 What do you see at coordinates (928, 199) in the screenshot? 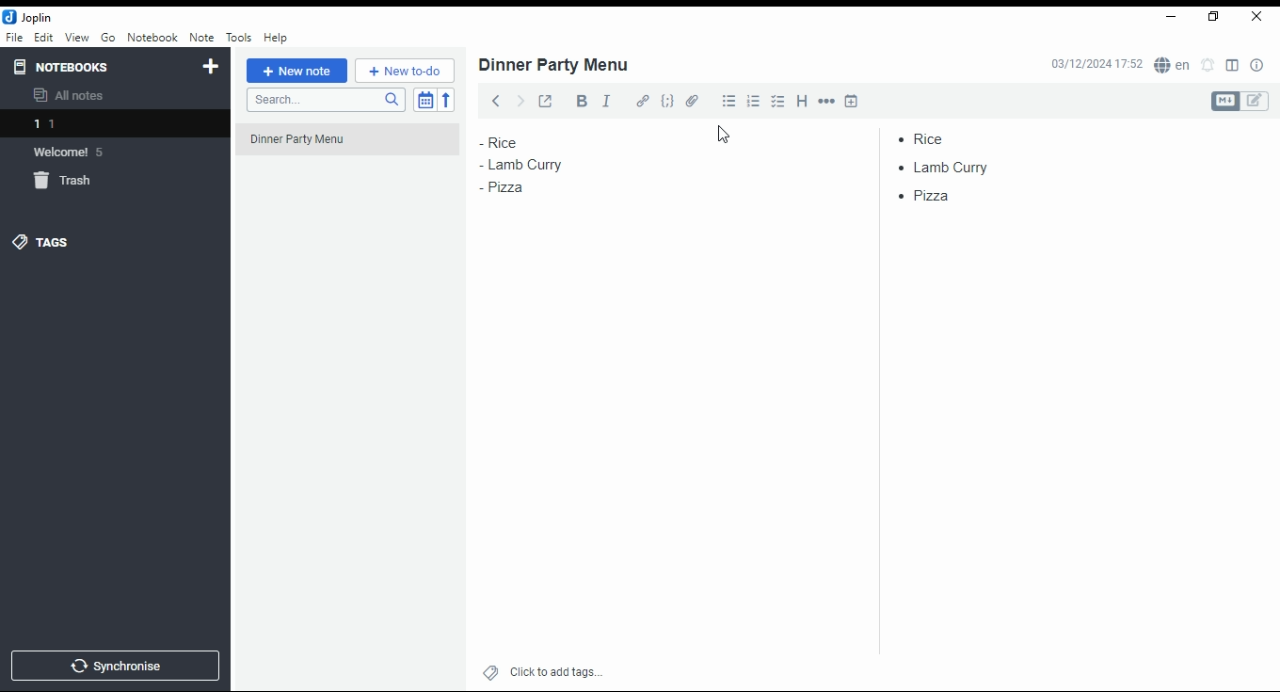
I see `pizza` at bounding box center [928, 199].